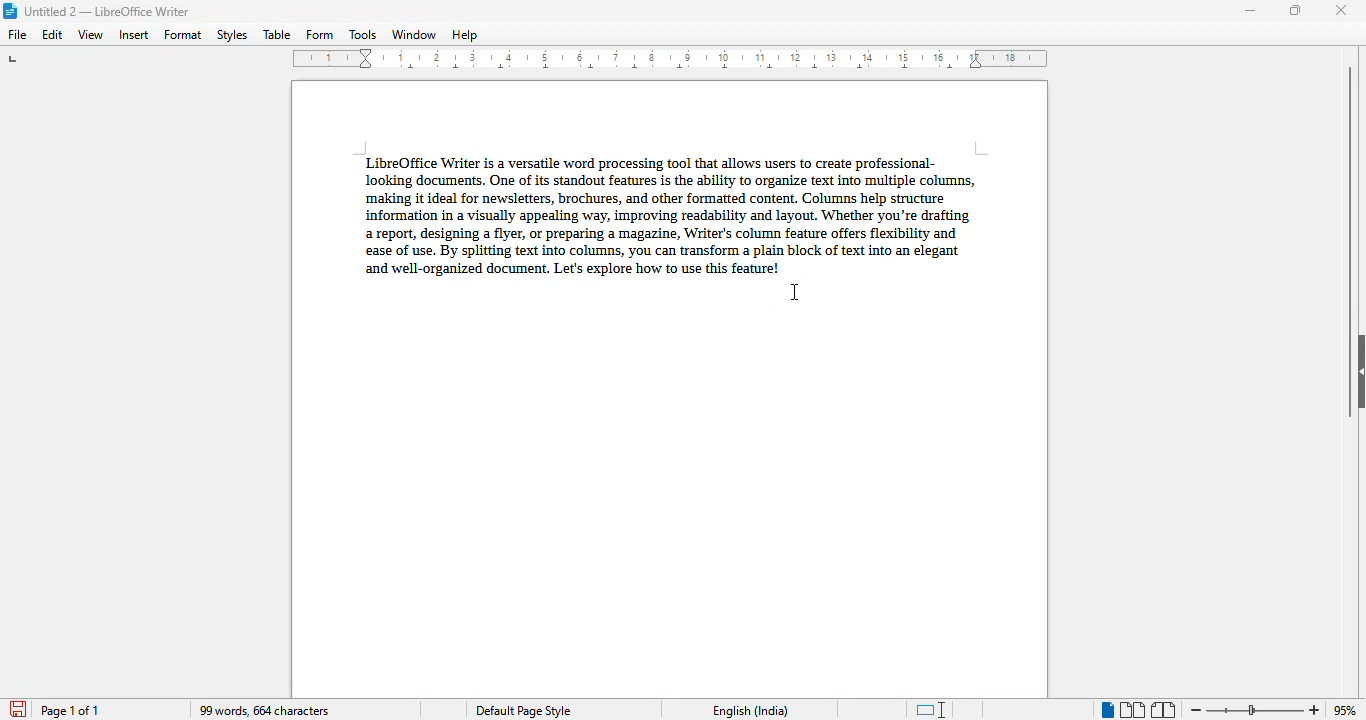  What do you see at coordinates (54, 34) in the screenshot?
I see `edit` at bounding box center [54, 34].